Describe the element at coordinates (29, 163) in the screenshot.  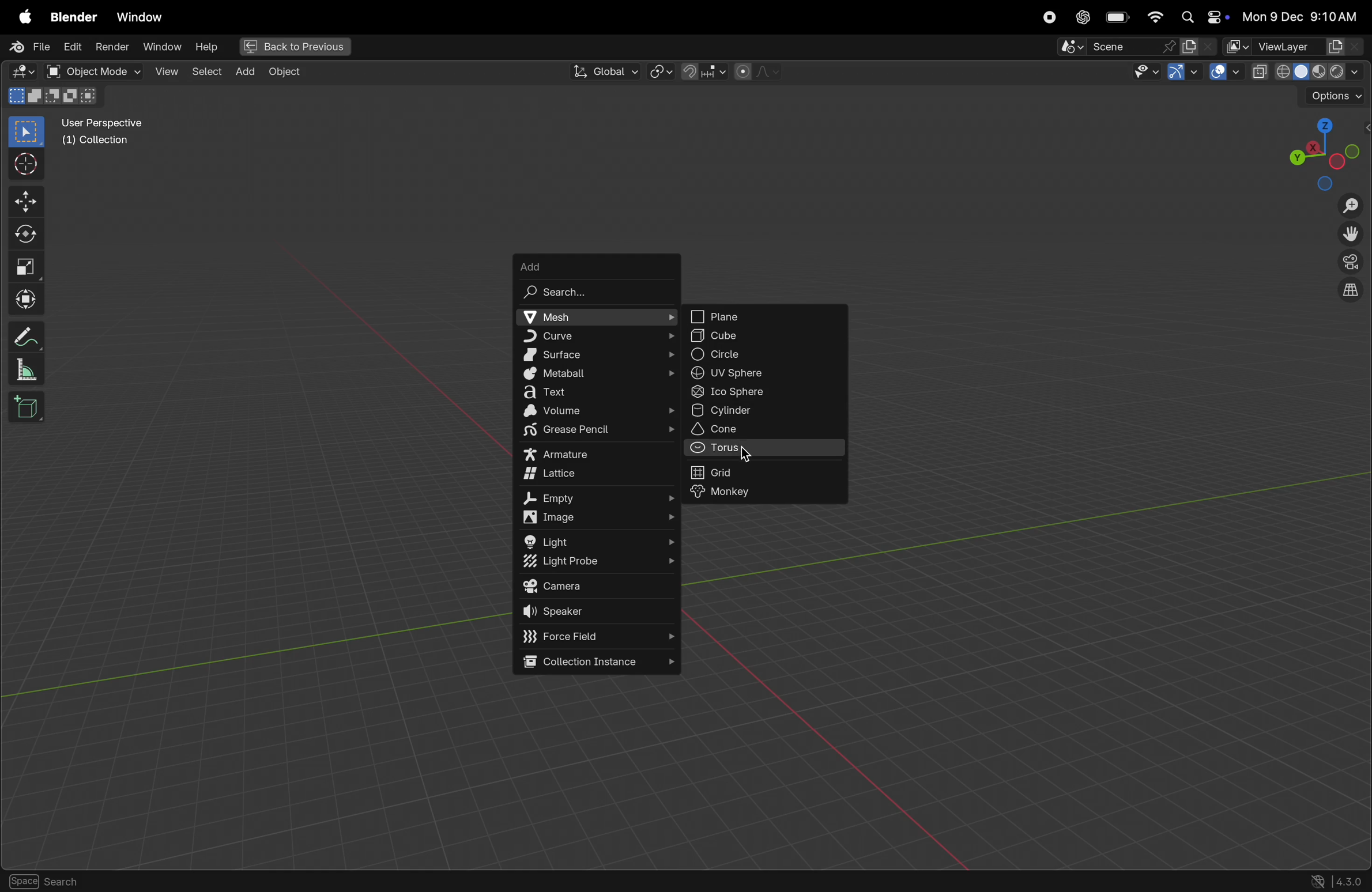
I see `curosor` at that location.